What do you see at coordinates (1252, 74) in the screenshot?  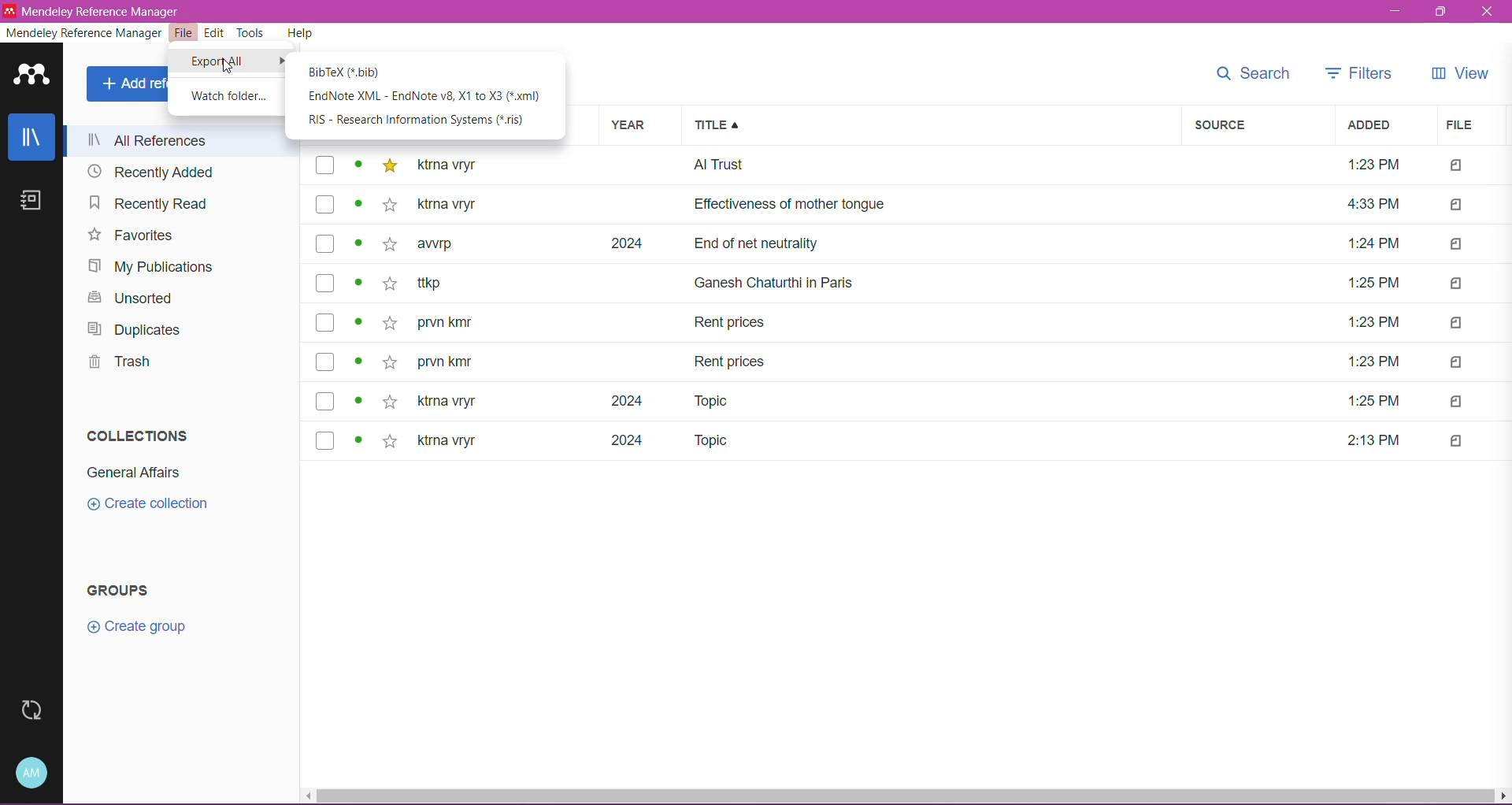 I see `Search` at bounding box center [1252, 74].